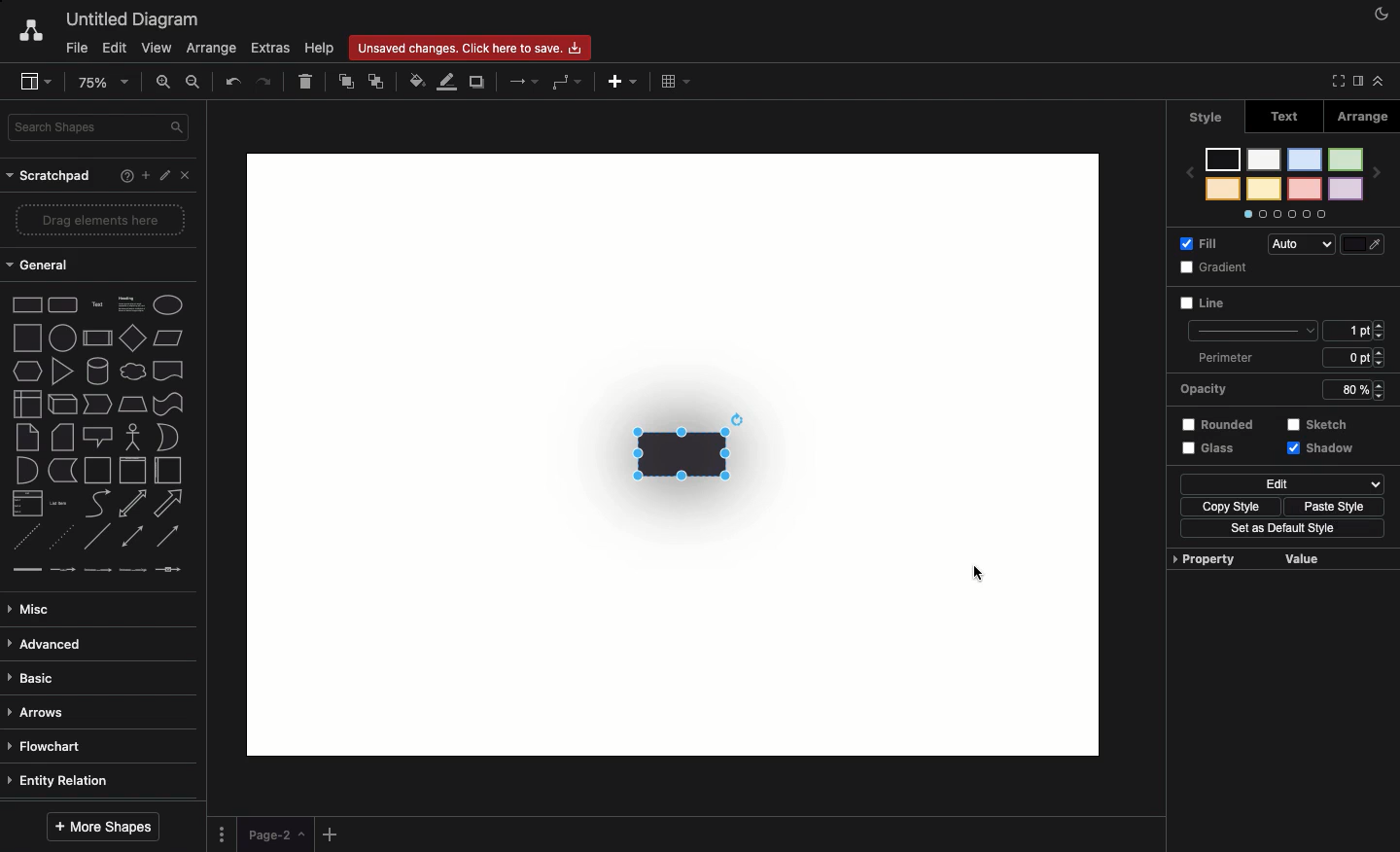  What do you see at coordinates (1366, 243) in the screenshot?
I see `Fill` at bounding box center [1366, 243].